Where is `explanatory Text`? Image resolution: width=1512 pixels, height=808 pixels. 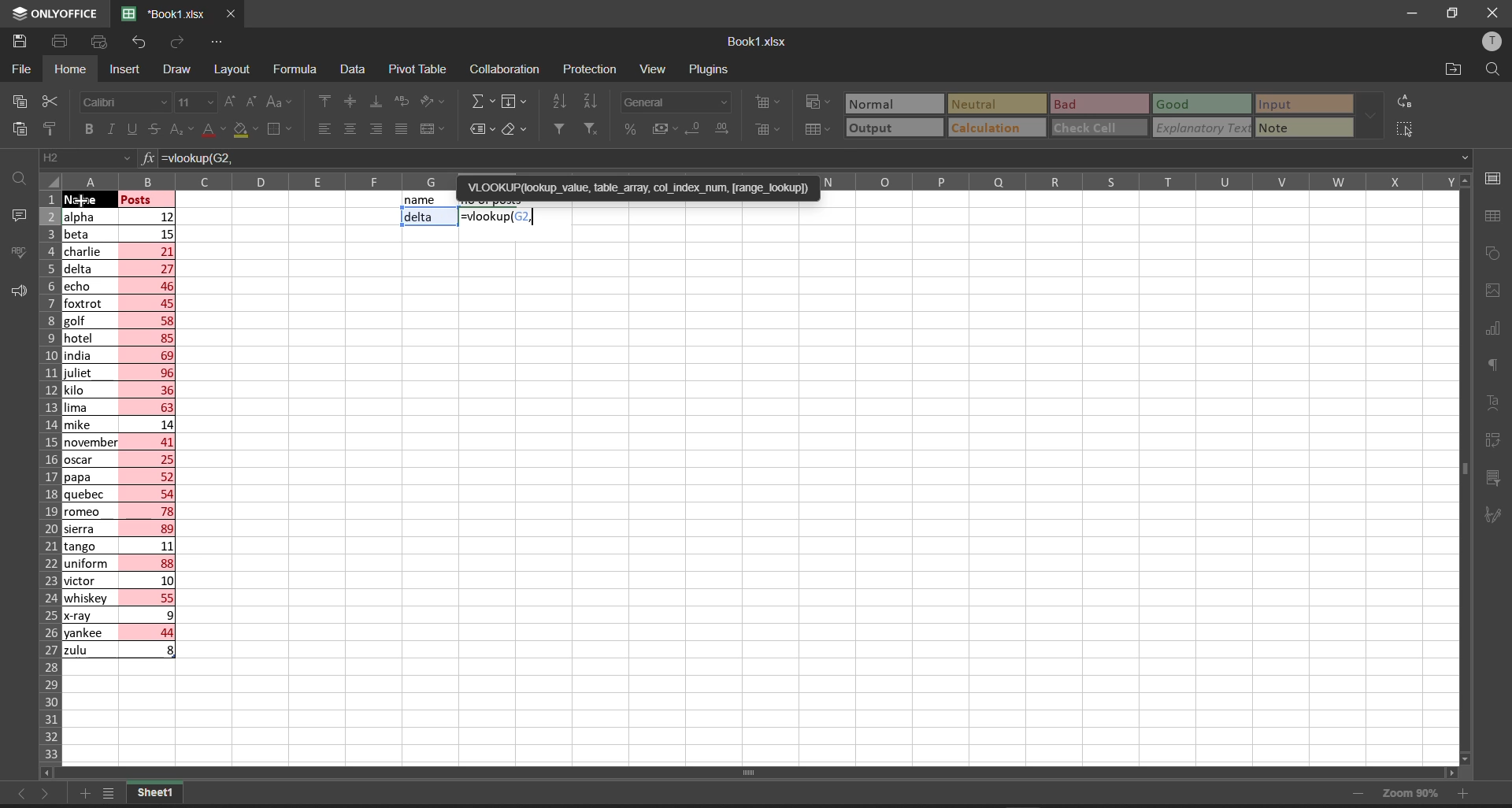
explanatory Text is located at coordinates (1200, 128).